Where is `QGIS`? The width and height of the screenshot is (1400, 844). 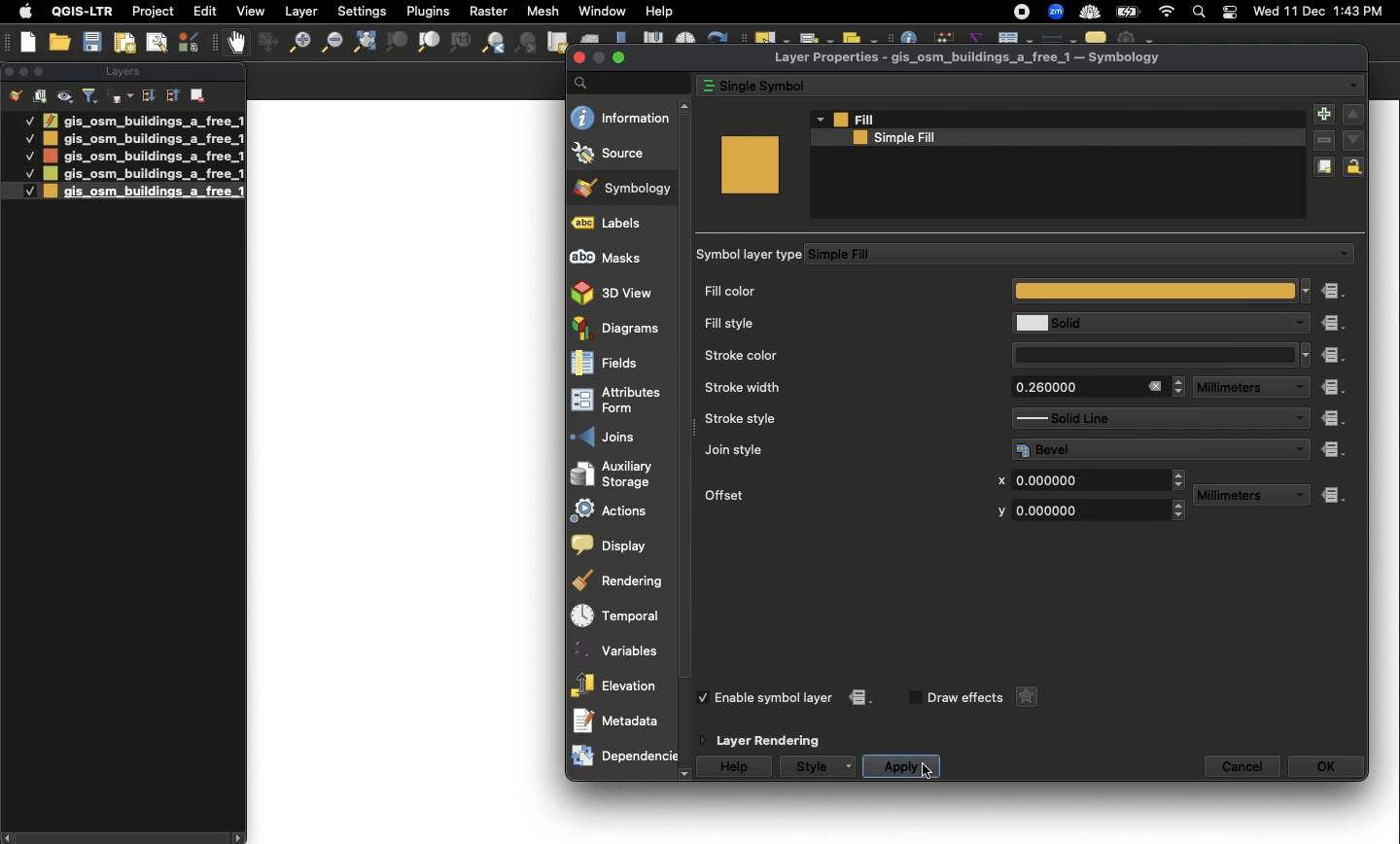 QGIS is located at coordinates (83, 11).